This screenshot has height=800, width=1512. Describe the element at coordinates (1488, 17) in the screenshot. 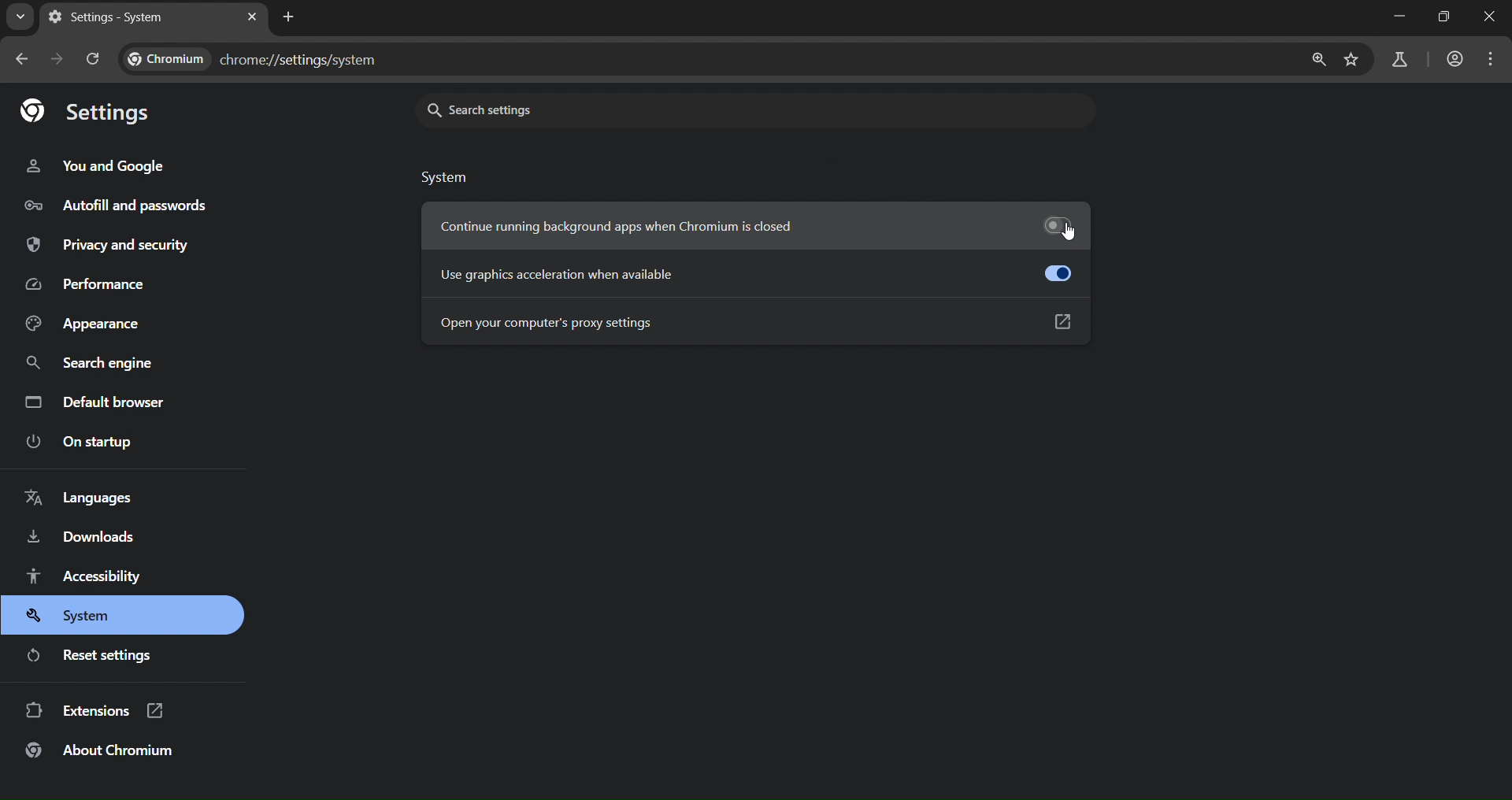

I see `close` at that location.